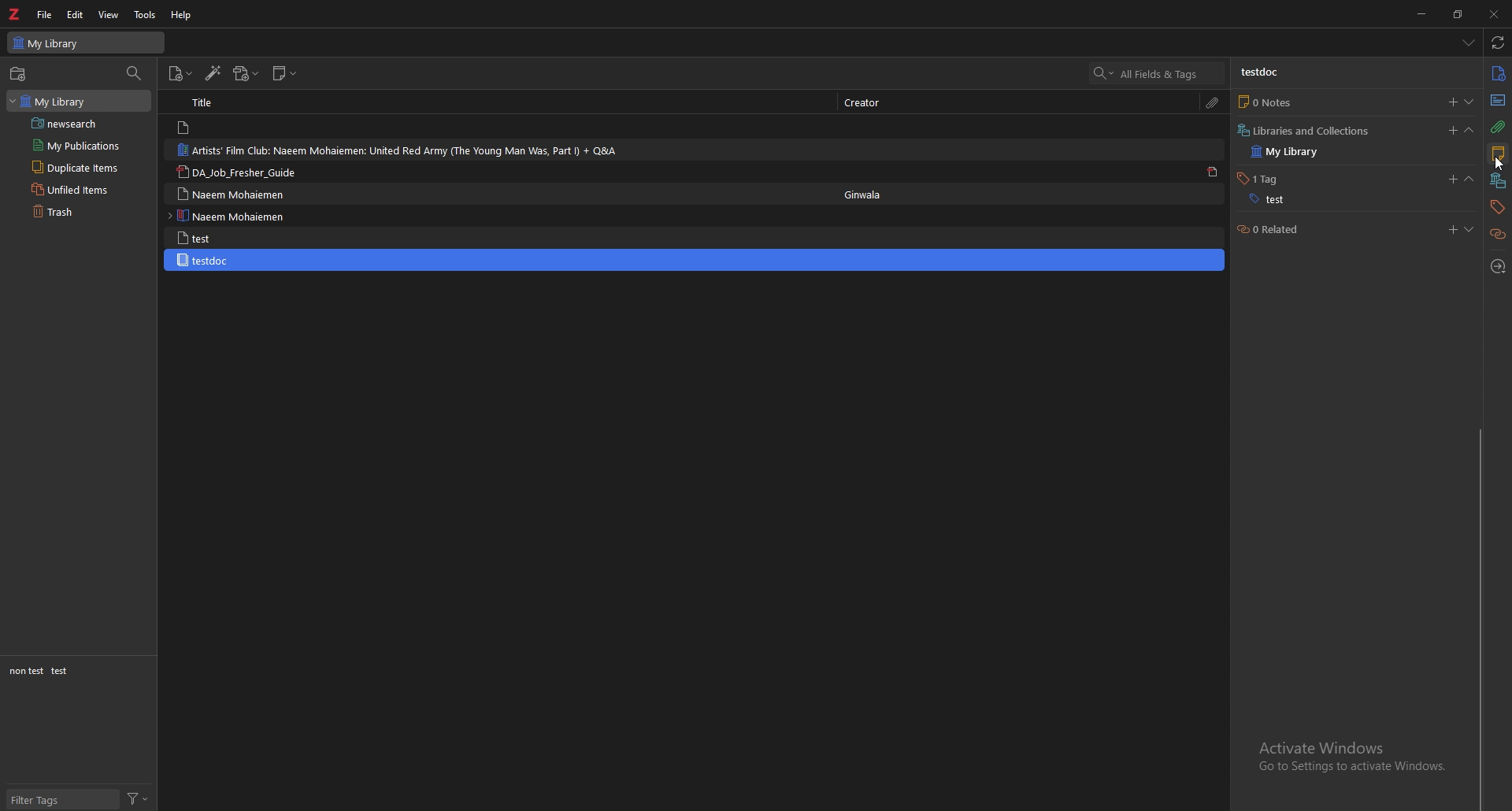 The height and width of the screenshot is (811, 1512). I want to click on my library, so click(1290, 153).